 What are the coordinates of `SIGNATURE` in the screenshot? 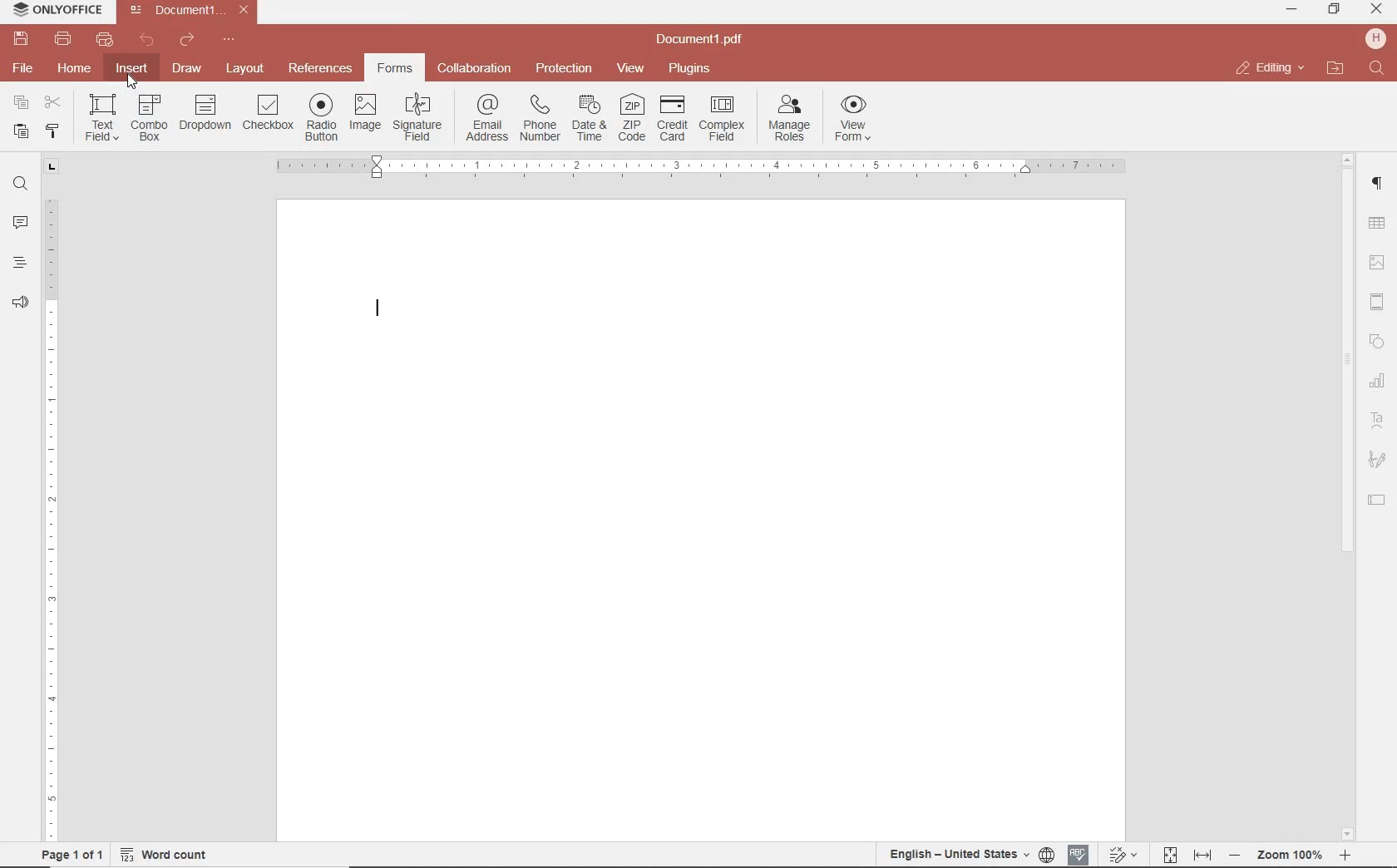 It's located at (1377, 461).